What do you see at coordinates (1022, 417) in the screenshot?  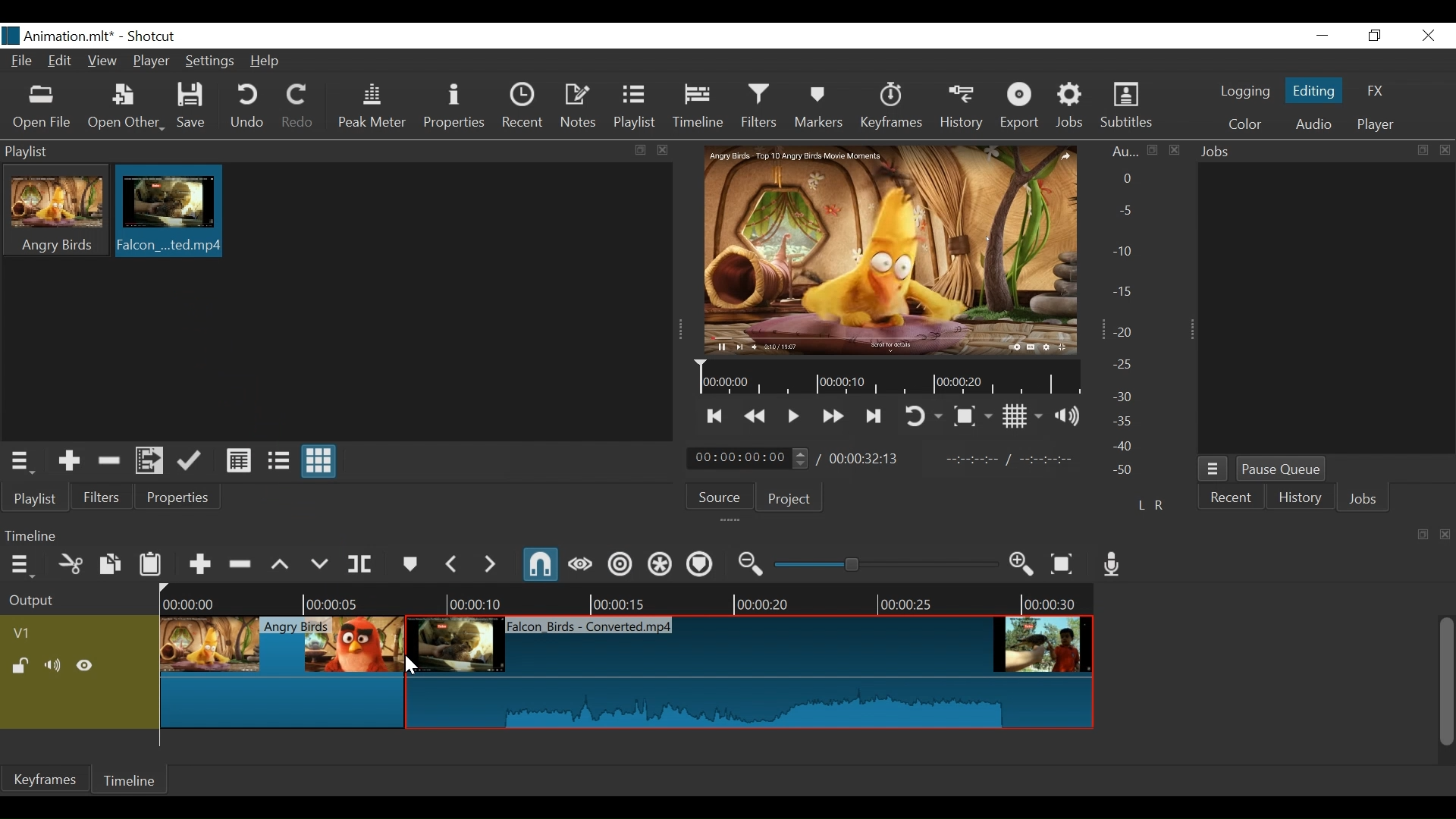 I see `Toggle display grid on player` at bounding box center [1022, 417].